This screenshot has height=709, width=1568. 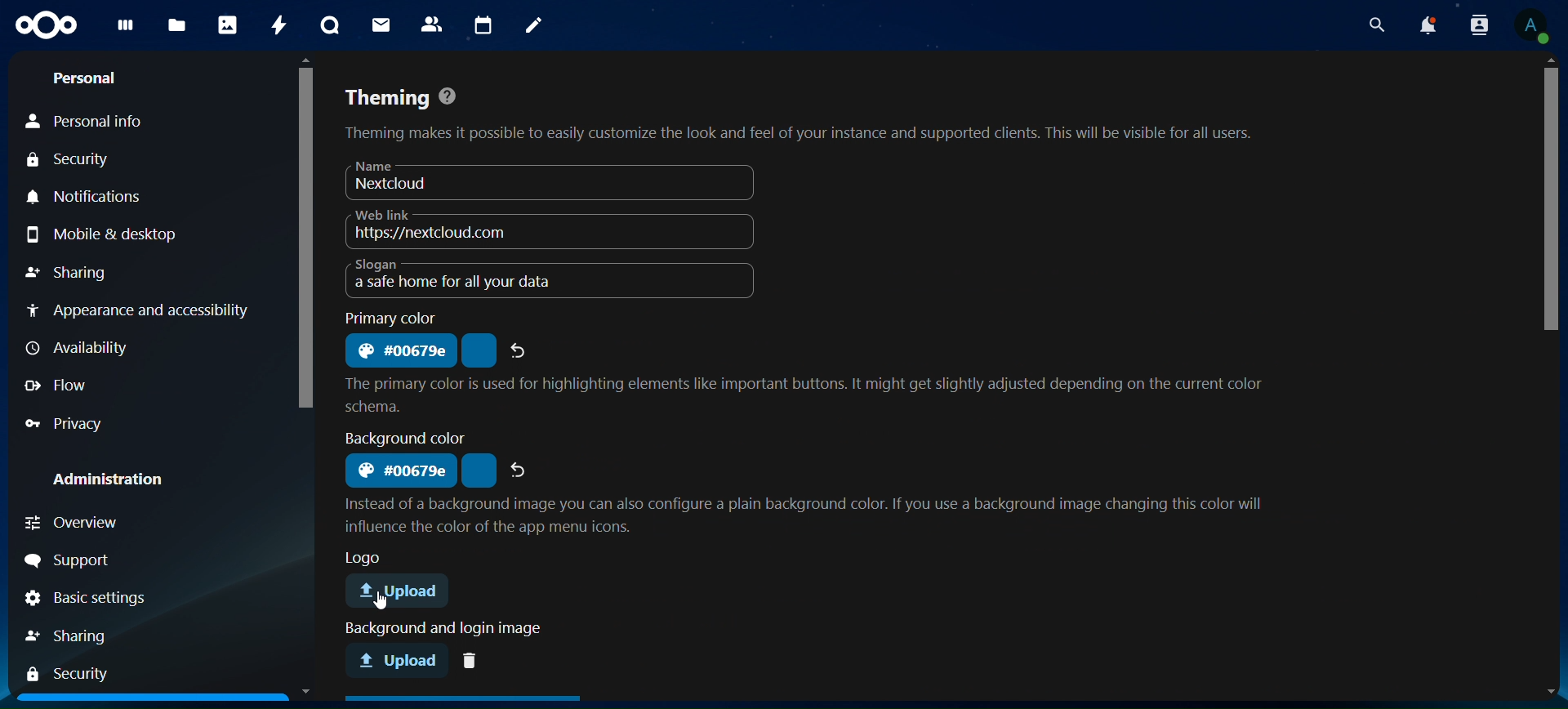 I want to click on logo, so click(x=47, y=26).